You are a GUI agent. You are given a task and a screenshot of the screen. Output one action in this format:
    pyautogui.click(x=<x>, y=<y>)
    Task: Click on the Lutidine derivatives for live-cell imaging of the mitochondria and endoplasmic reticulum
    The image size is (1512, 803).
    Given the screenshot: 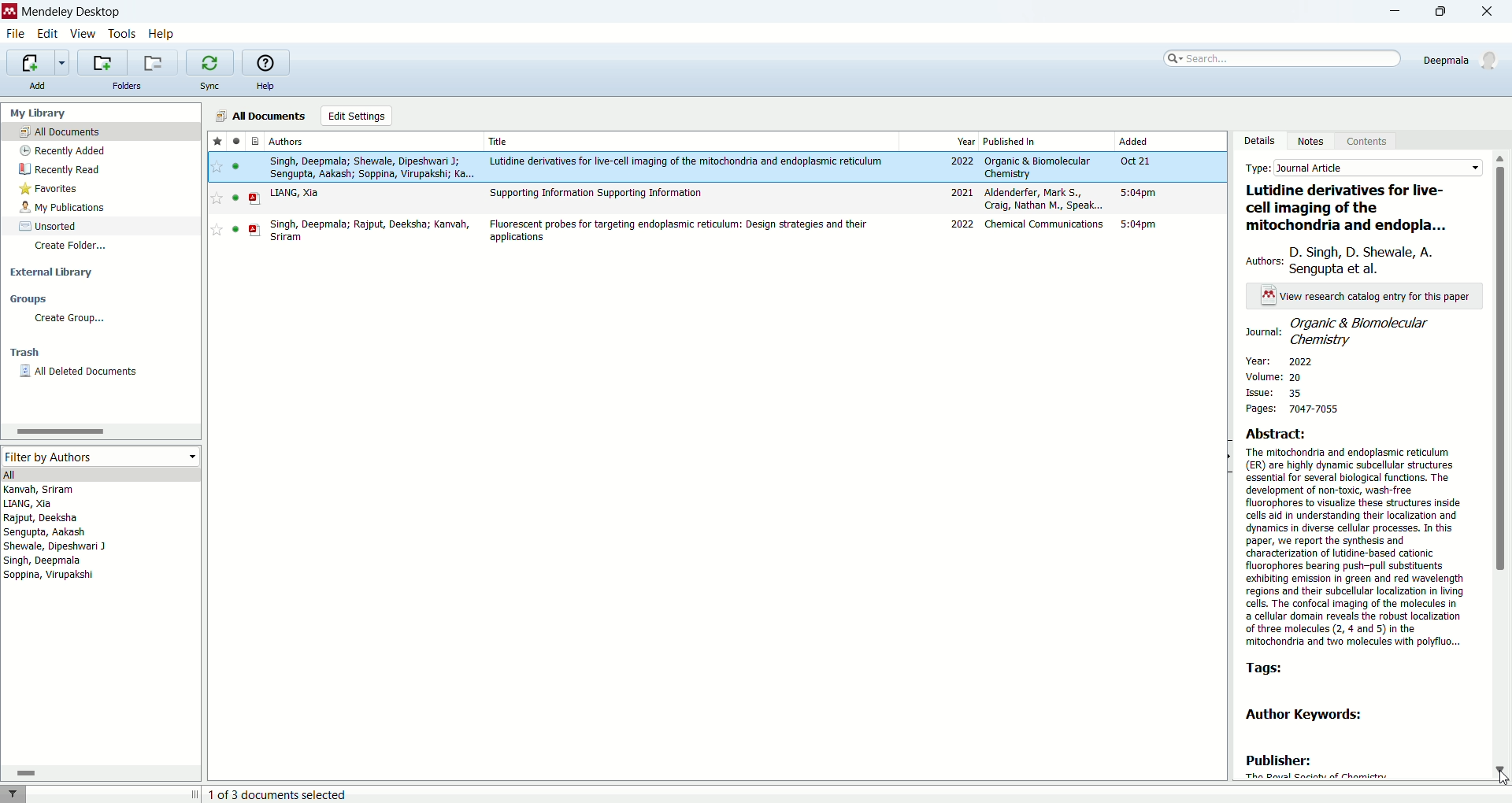 What is the action you would take?
    pyautogui.click(x=687, y=161)
    